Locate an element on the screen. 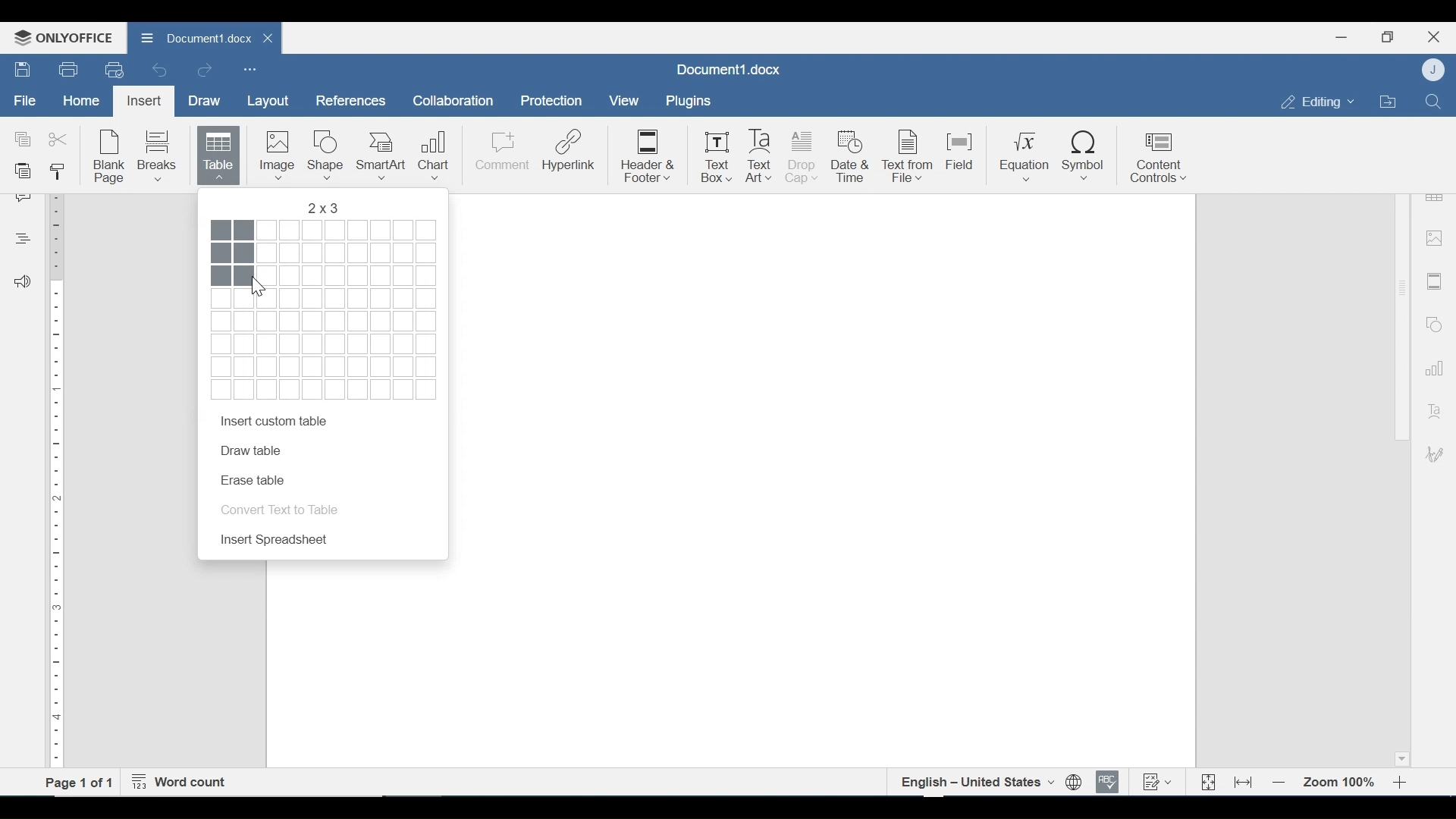 The height and width of the screenshot is (819, 1456). Graph is located at coordinates (1431, 366).